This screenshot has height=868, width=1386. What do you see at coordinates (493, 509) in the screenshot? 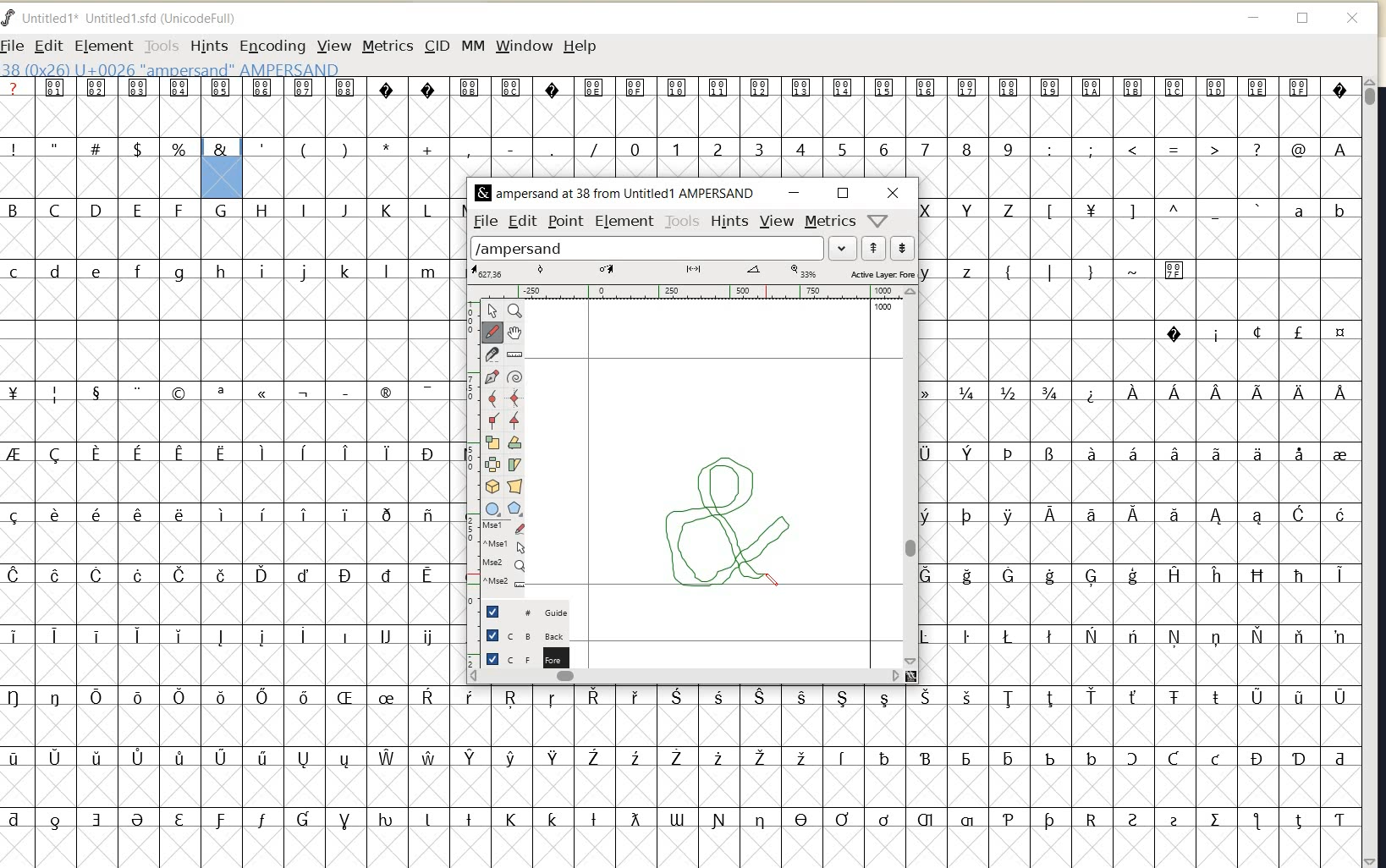
I see `` at bounding box center [493, 509].